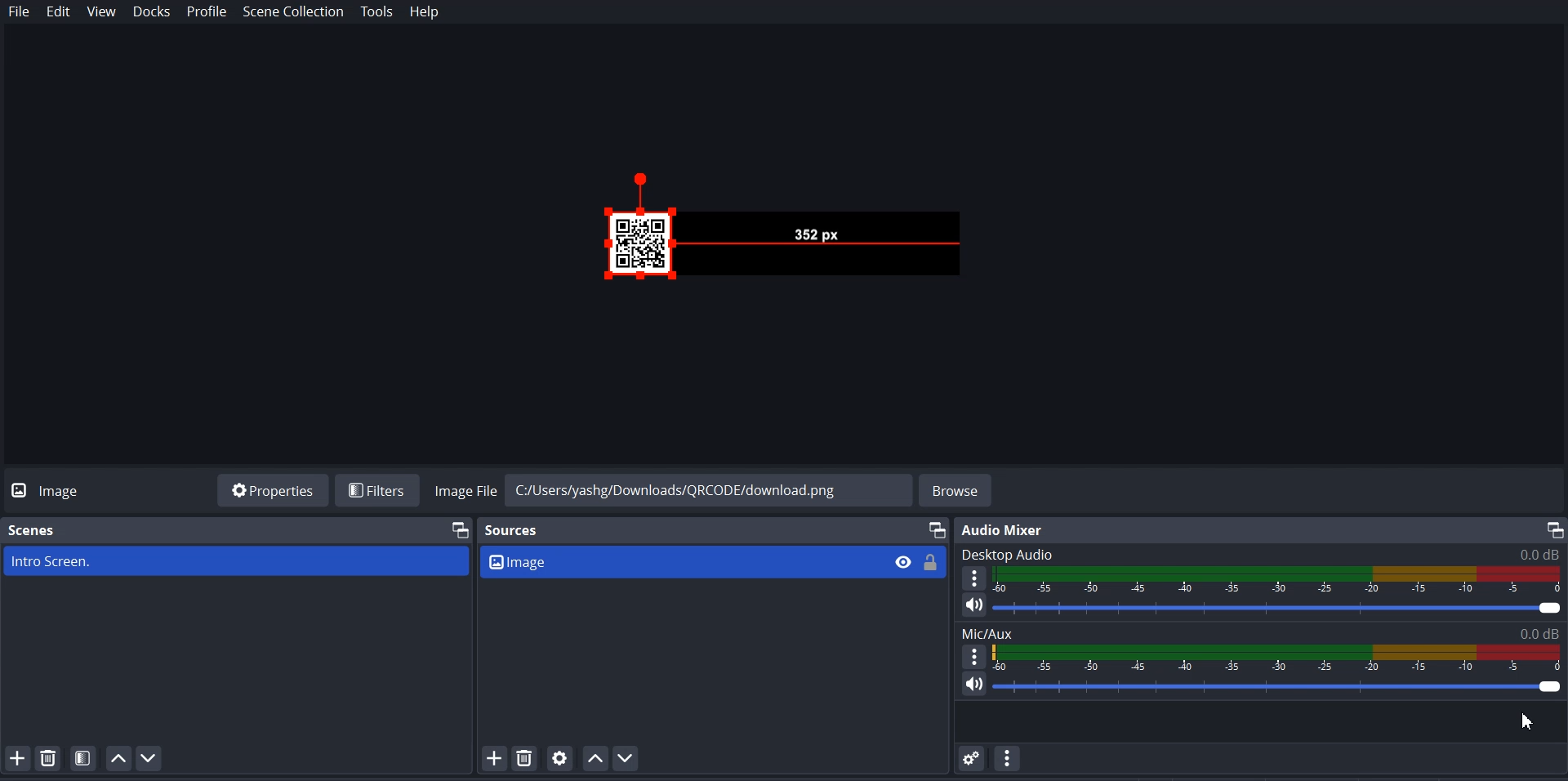 This screenshot has width=1568, height=781. What do you see at coordinates (1007, 758) in the screenshot?
I see `Audio Mixer Menu` at bounding box center [1007, 758].